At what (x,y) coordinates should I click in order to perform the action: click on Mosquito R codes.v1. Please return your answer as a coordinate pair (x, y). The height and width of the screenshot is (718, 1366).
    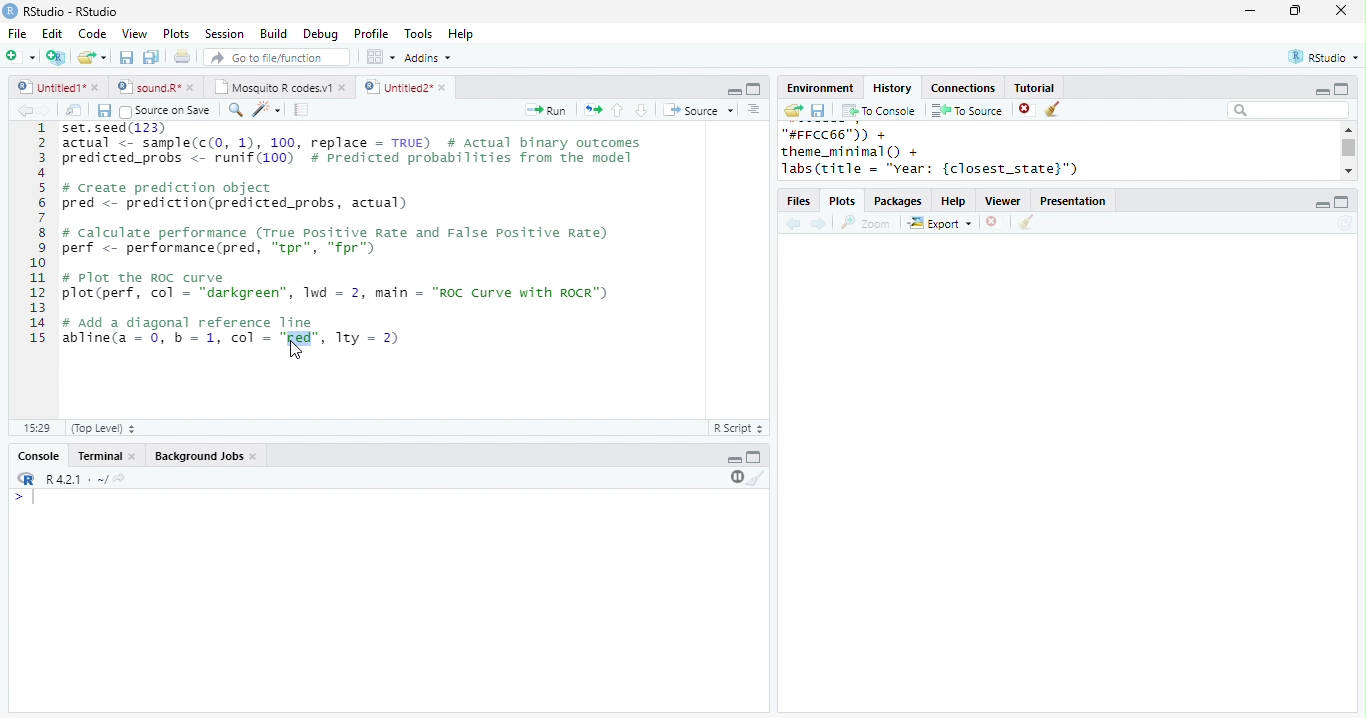
    Looking at the image, I should click on (273, 87).